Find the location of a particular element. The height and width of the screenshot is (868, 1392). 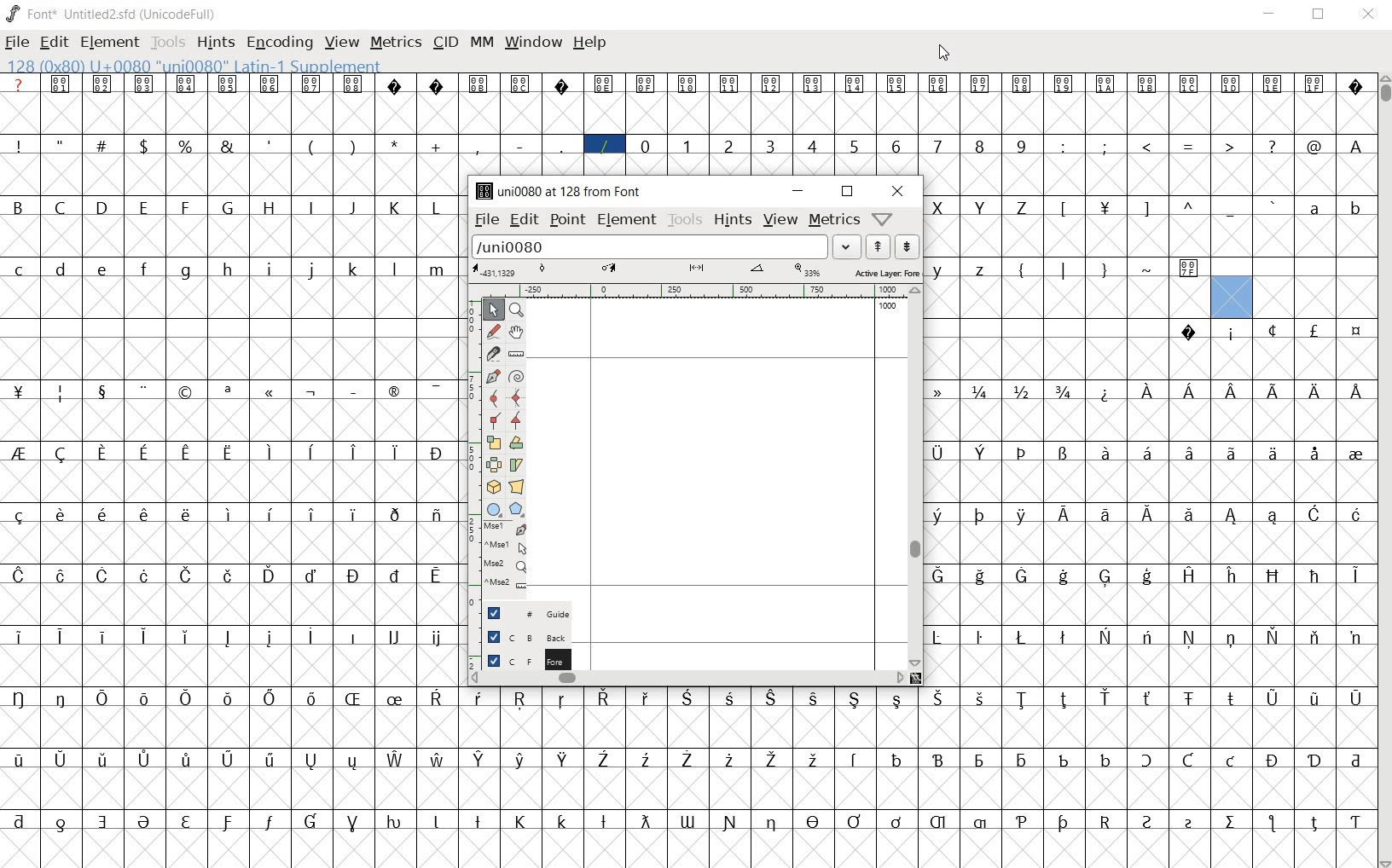

glyph is located at coordinates (19, 391).